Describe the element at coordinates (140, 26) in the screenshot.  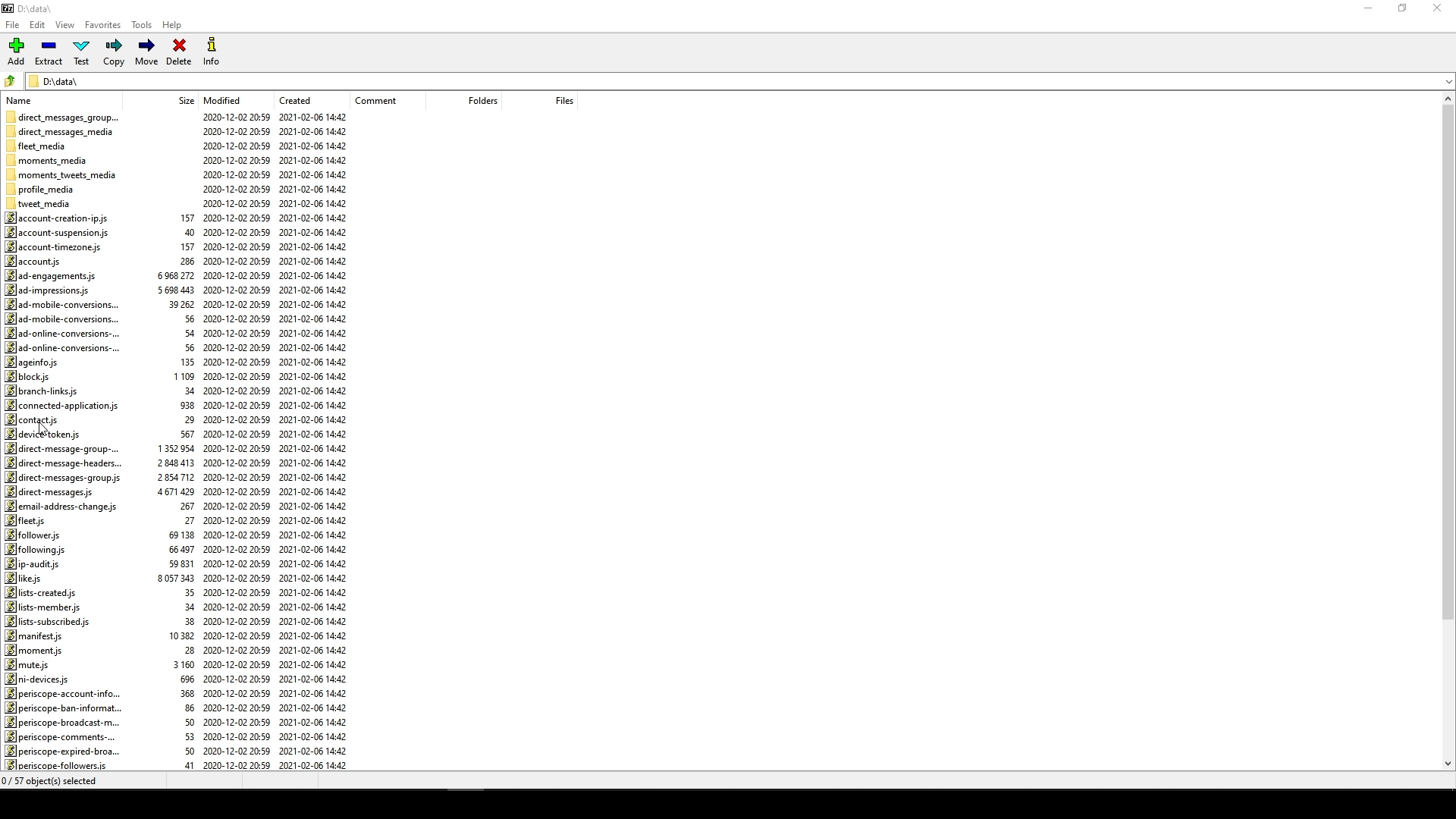
I see `Tools` at that location.